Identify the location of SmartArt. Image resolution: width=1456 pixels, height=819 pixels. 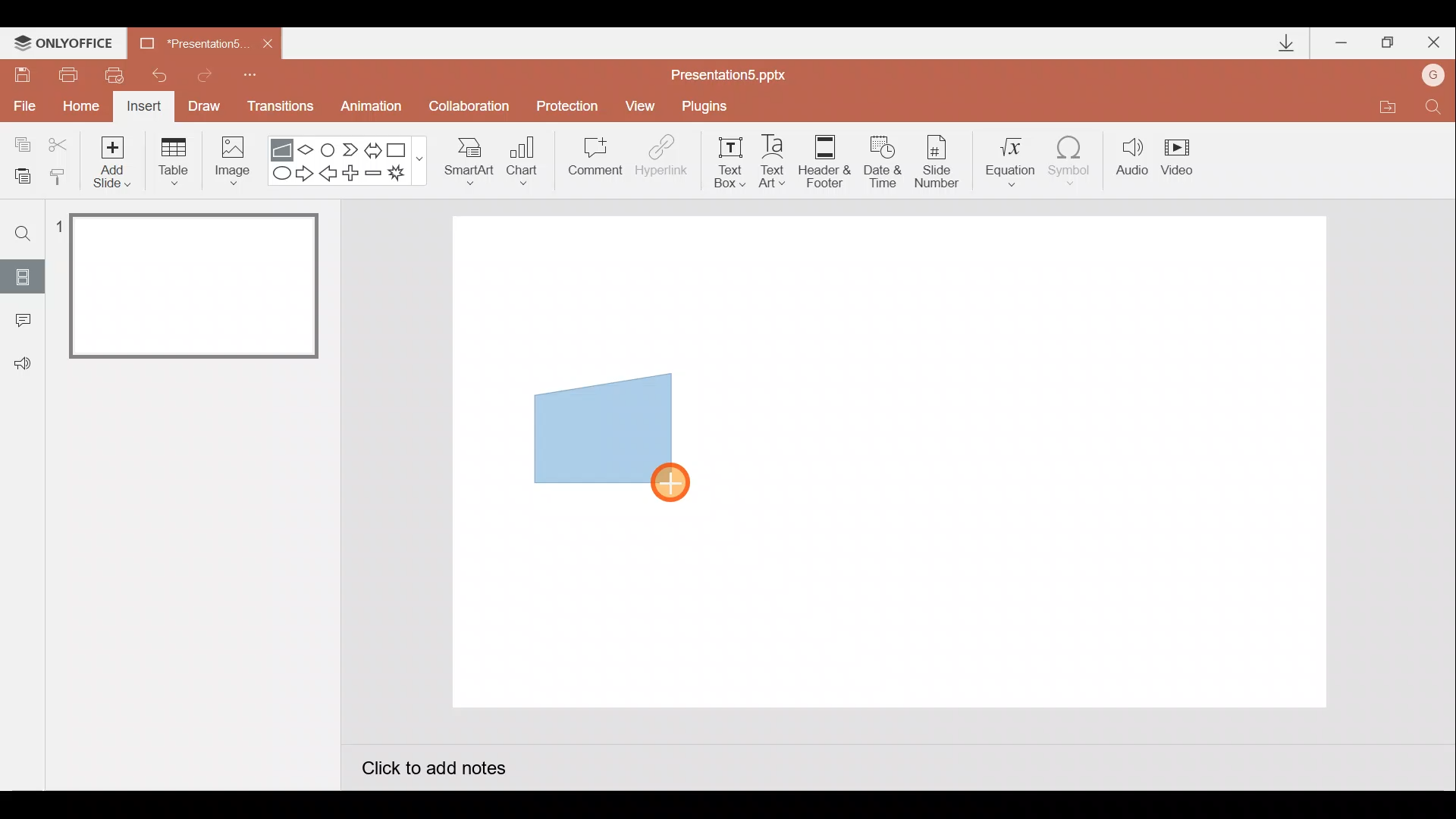
(463, 160).